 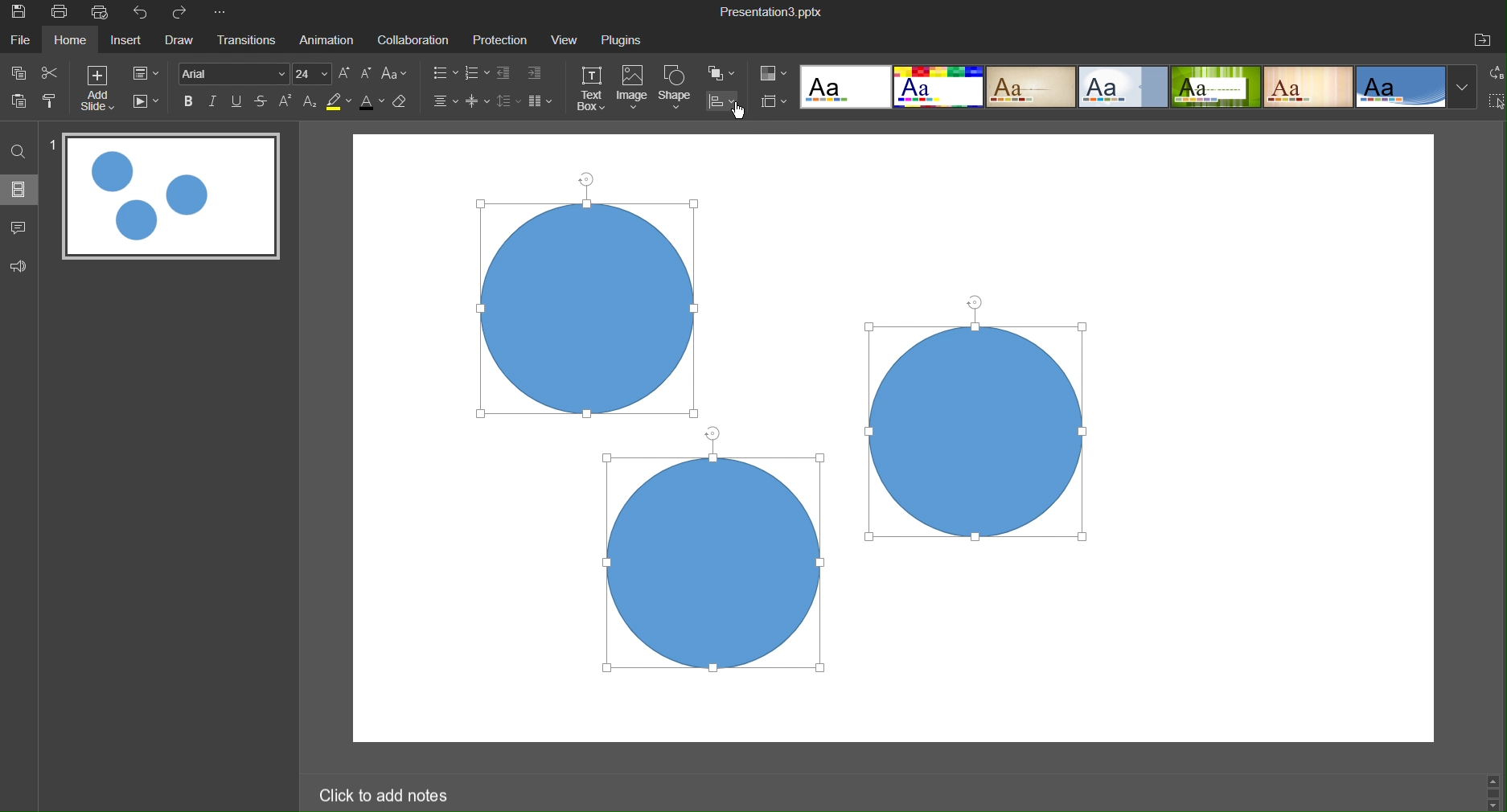 I want to click on Shape 2 Selected, so click(x=975, y=432).